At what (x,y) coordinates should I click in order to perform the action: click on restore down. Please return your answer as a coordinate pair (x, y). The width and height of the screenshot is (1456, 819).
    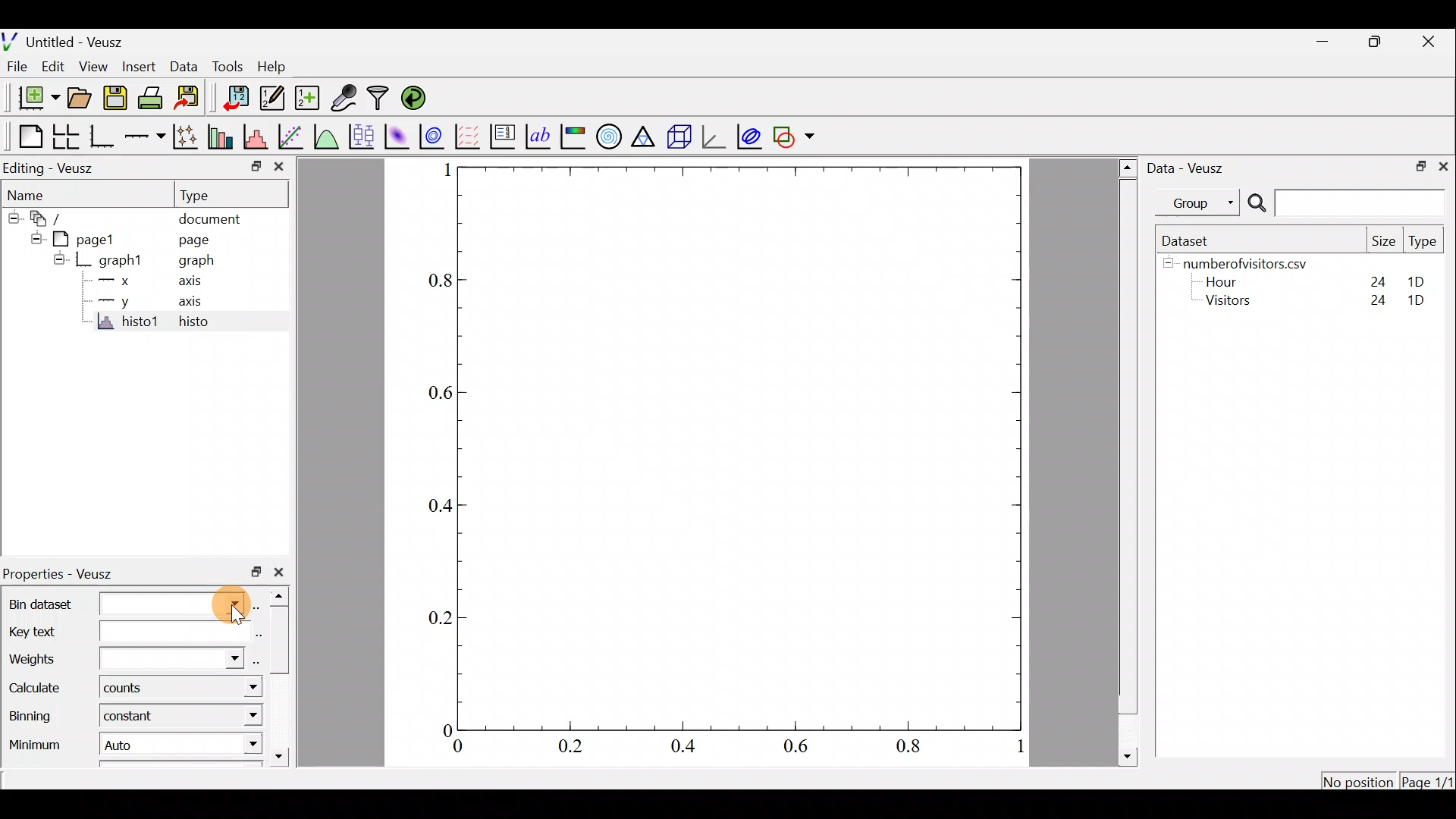
    Looking at the image, I should click on (1419, 167).